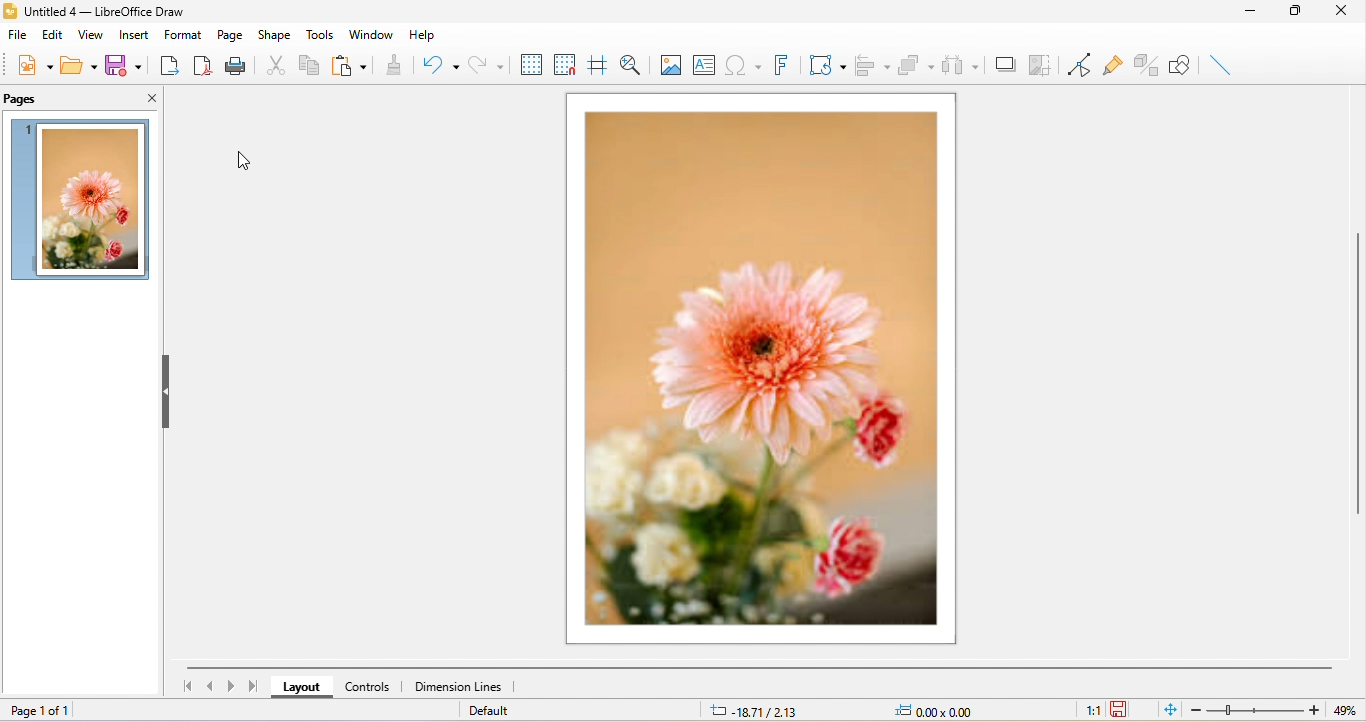  What do you see at coordinates (1221, 68) in the screenshot?
I see `insert line` at bounding box center [1221, 68].